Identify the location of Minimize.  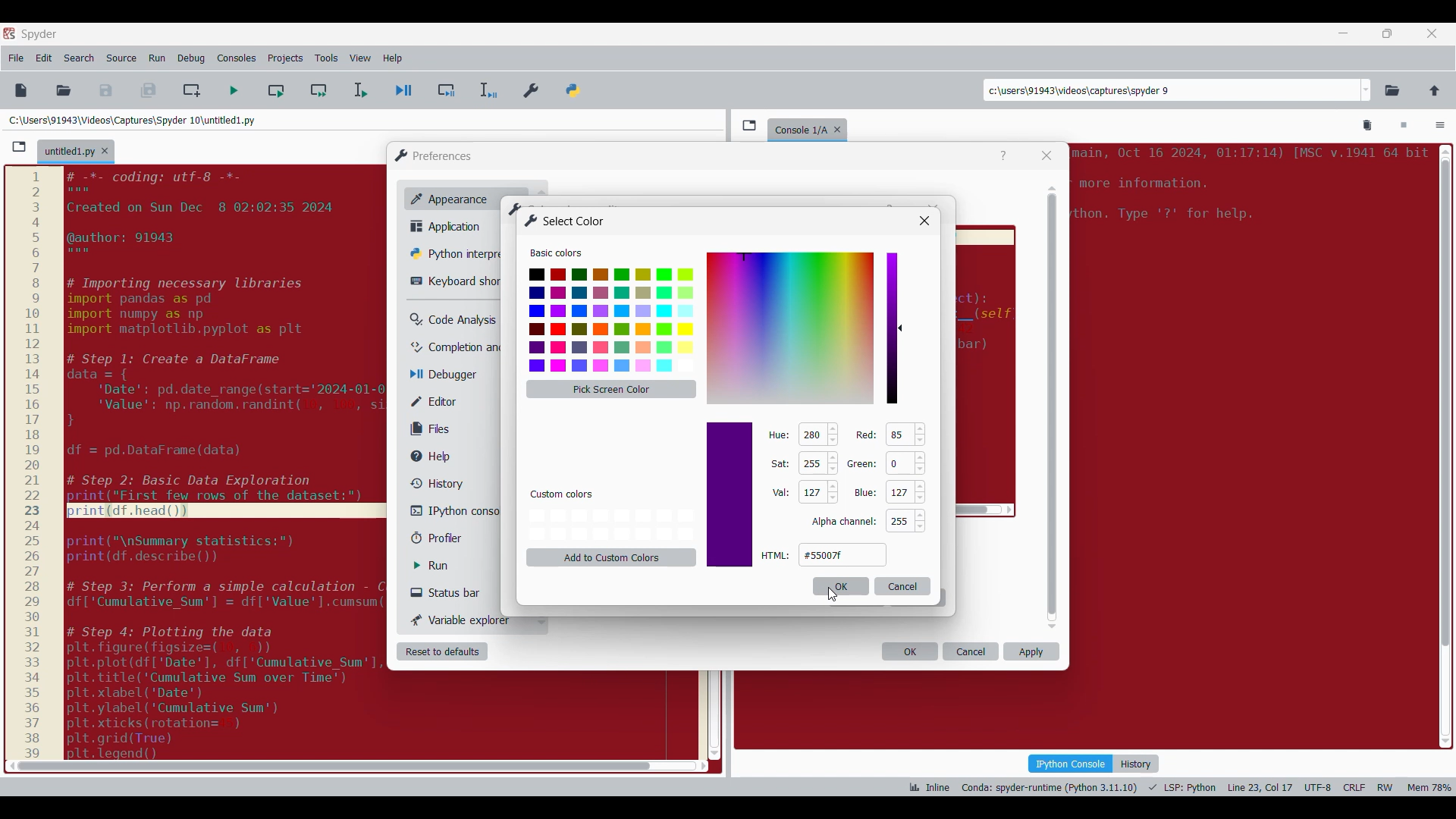
(1344, 33).